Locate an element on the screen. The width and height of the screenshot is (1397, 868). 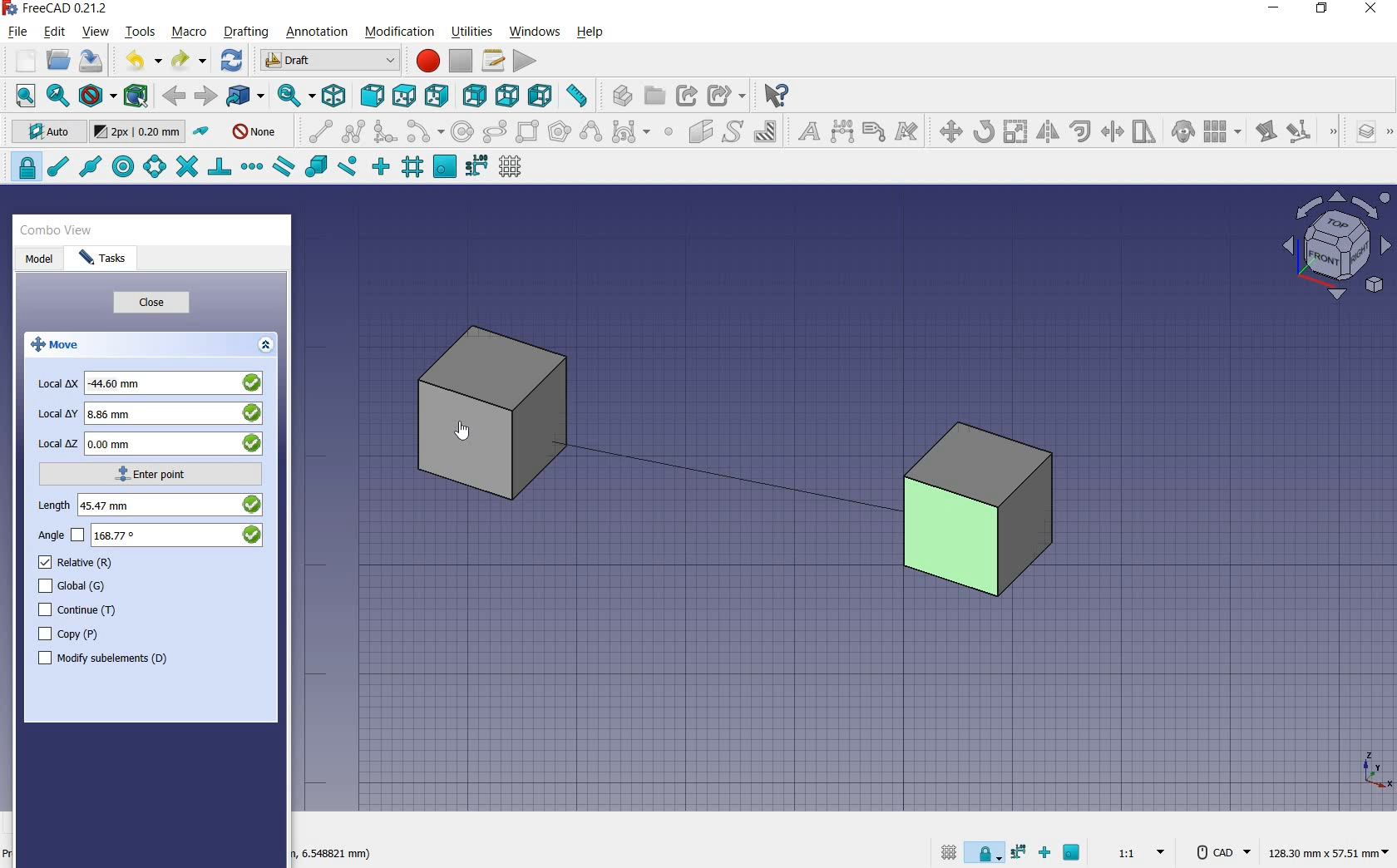
Bezier tools is located at coordinates (630, 133).